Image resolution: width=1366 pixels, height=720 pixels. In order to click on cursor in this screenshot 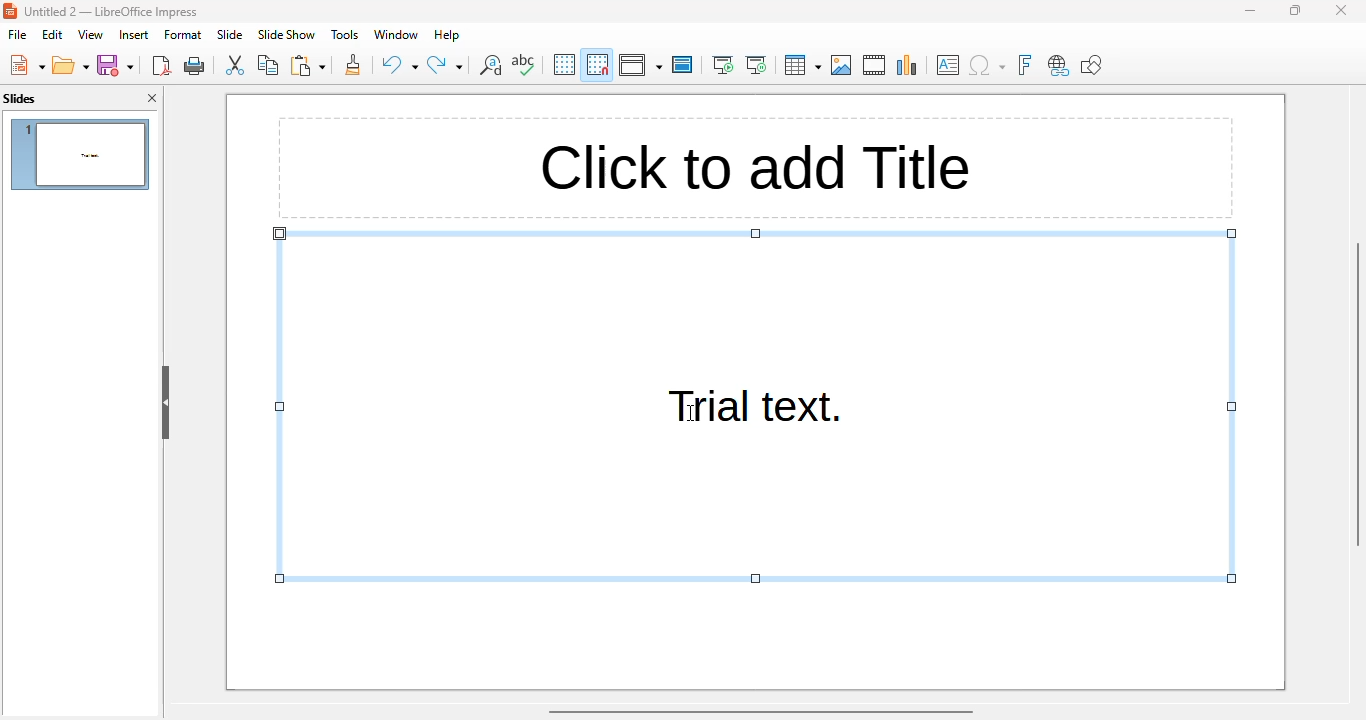, I will do `click(690, 413)`.